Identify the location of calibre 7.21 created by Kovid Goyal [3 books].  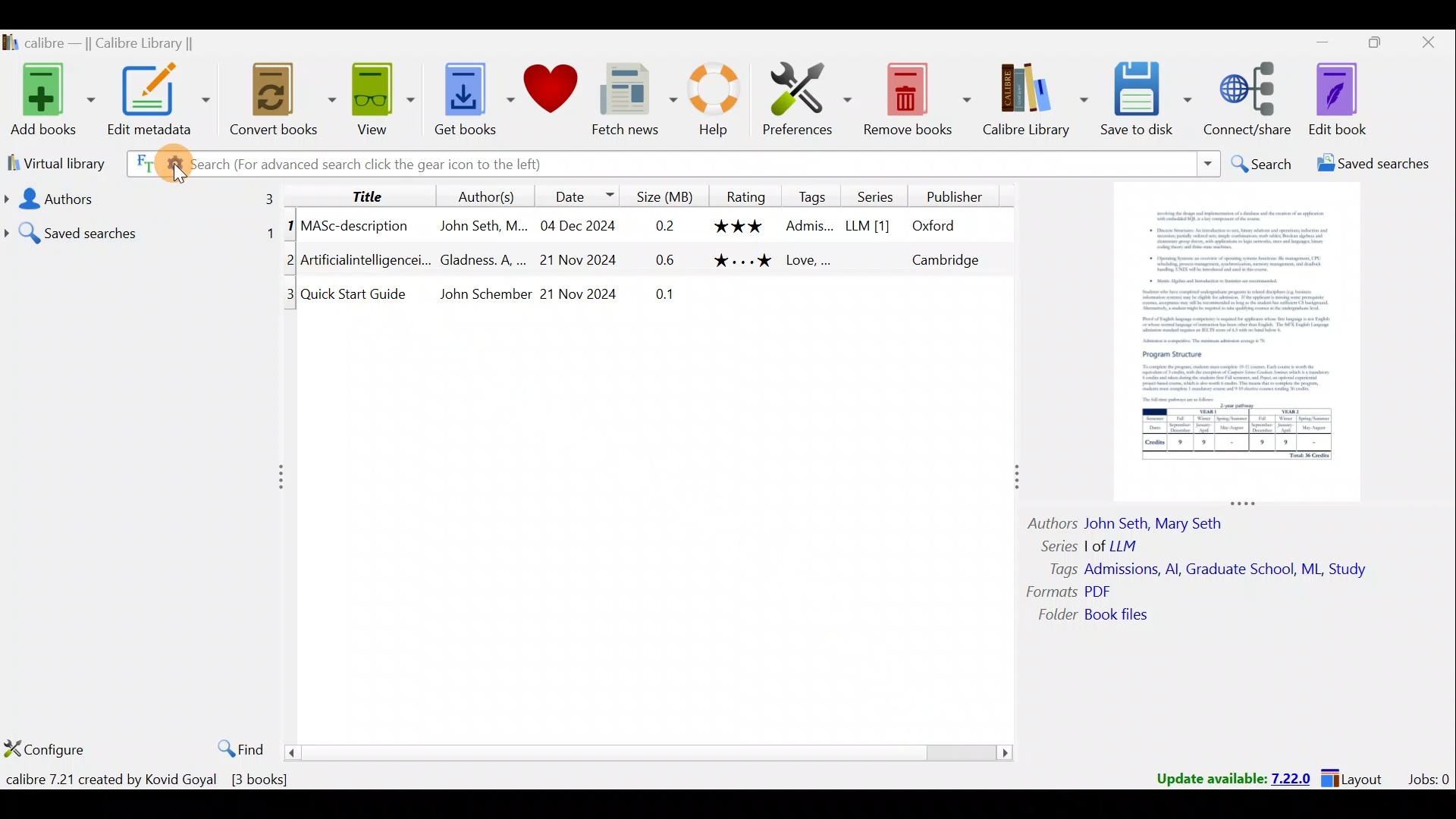
(151, 780).